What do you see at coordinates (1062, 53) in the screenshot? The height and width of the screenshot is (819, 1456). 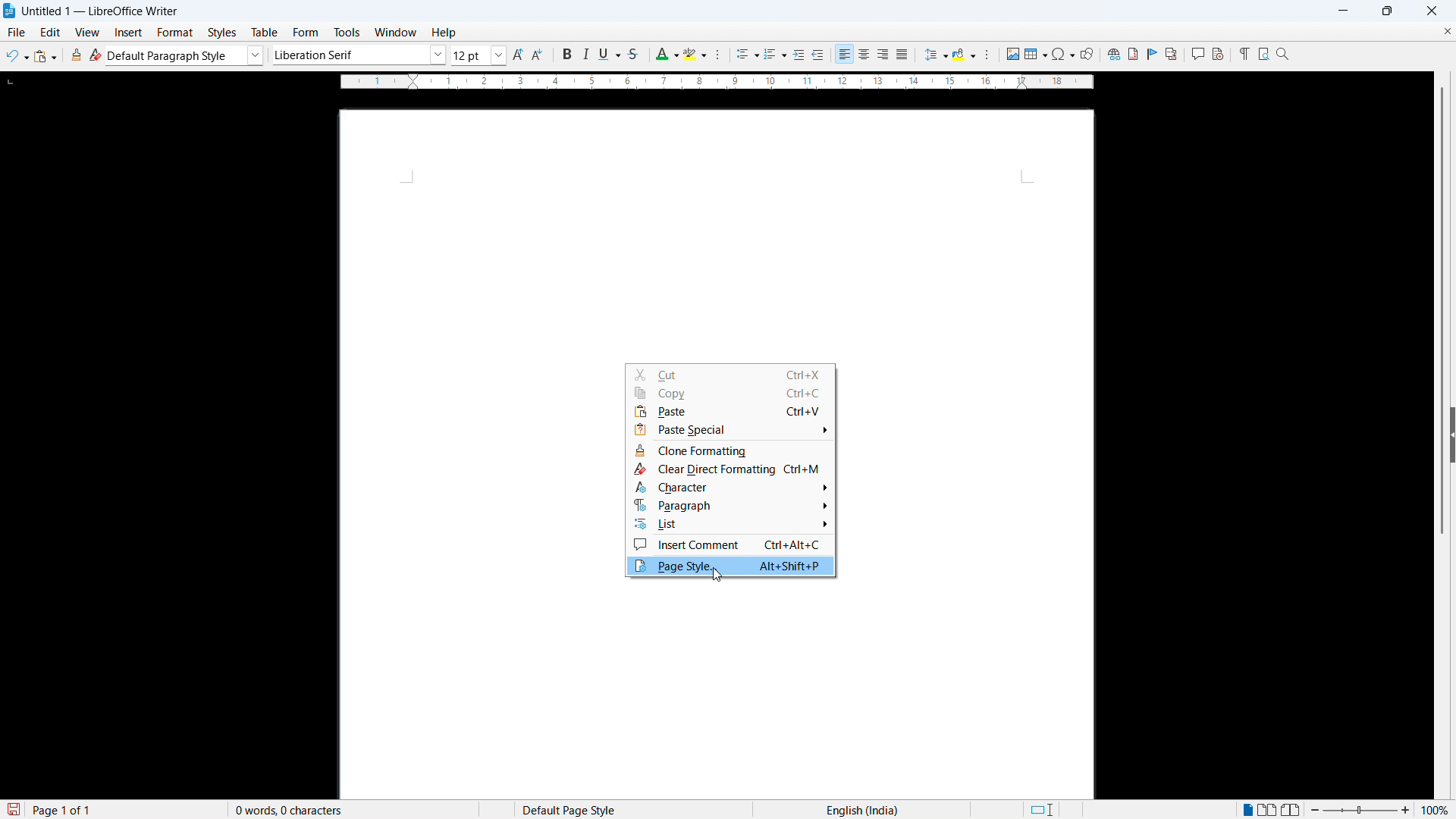 I see `Add symbol ` at bounding box center [1062, 53].